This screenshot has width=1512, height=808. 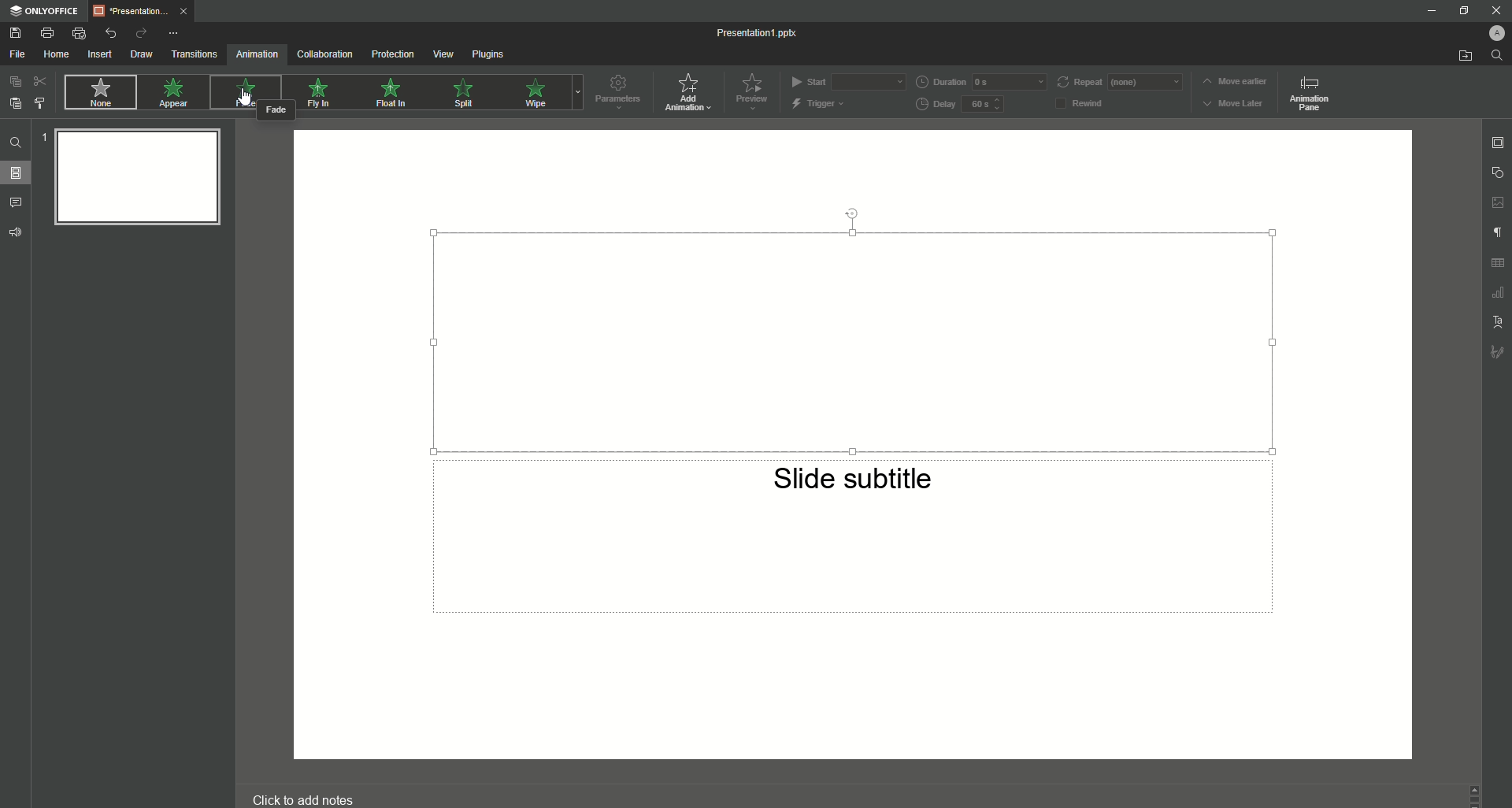 I want to click on Start (on Click), so click(x=848, y=81).